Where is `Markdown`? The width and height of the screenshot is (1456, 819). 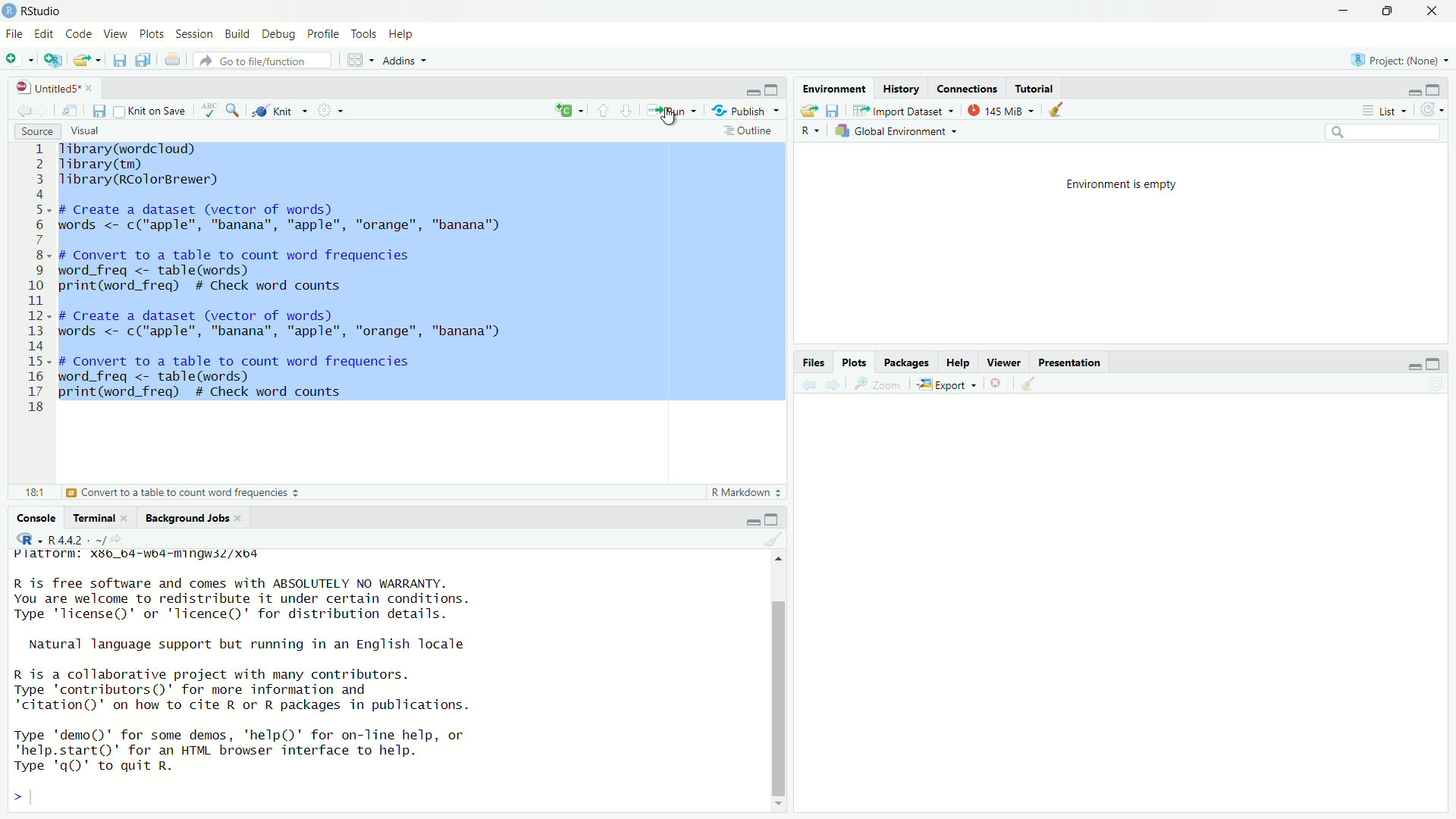 Markdown is located at coordinates (743, 493).